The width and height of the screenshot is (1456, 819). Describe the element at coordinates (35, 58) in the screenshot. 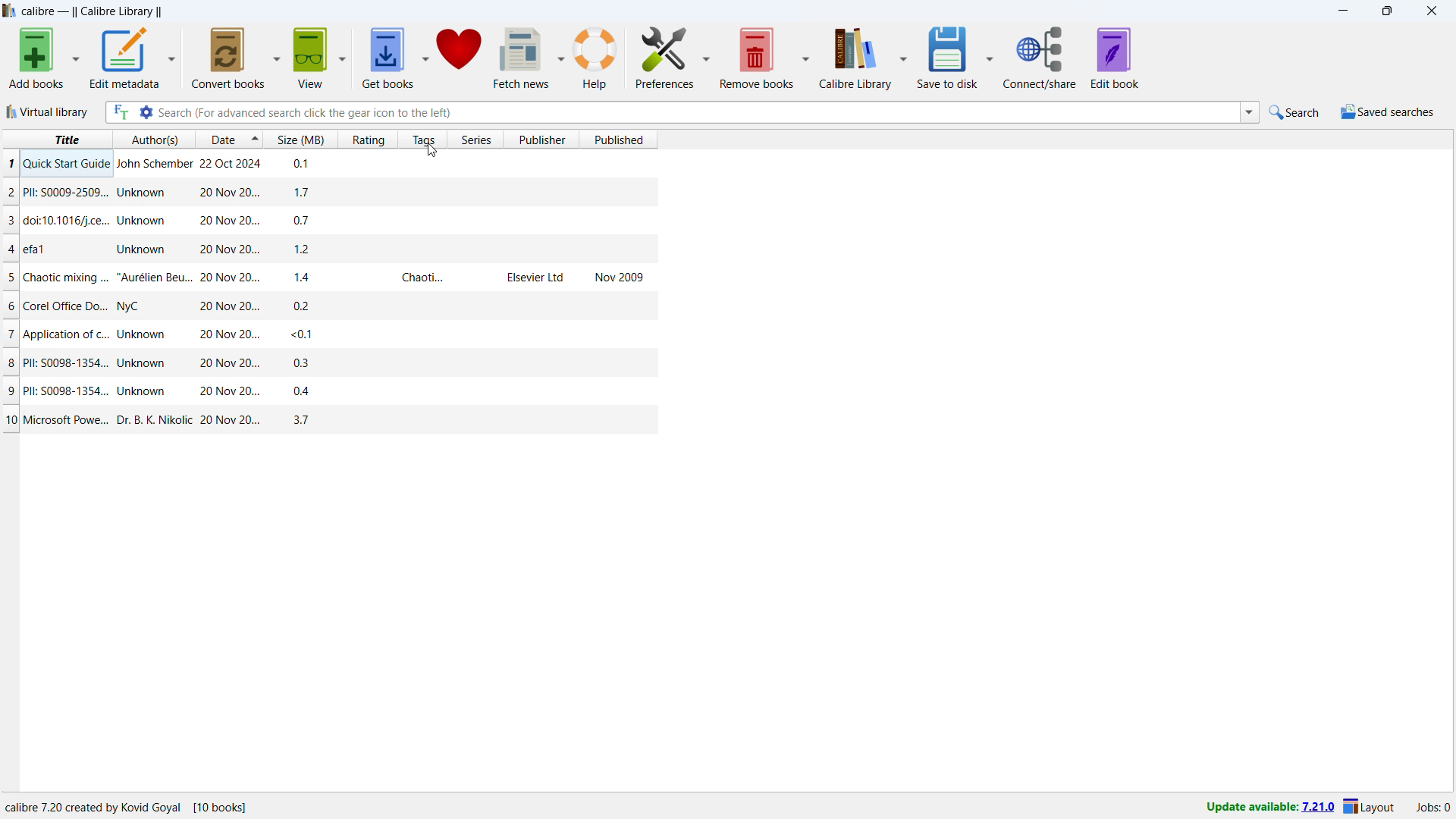

I see `add books` at that location.